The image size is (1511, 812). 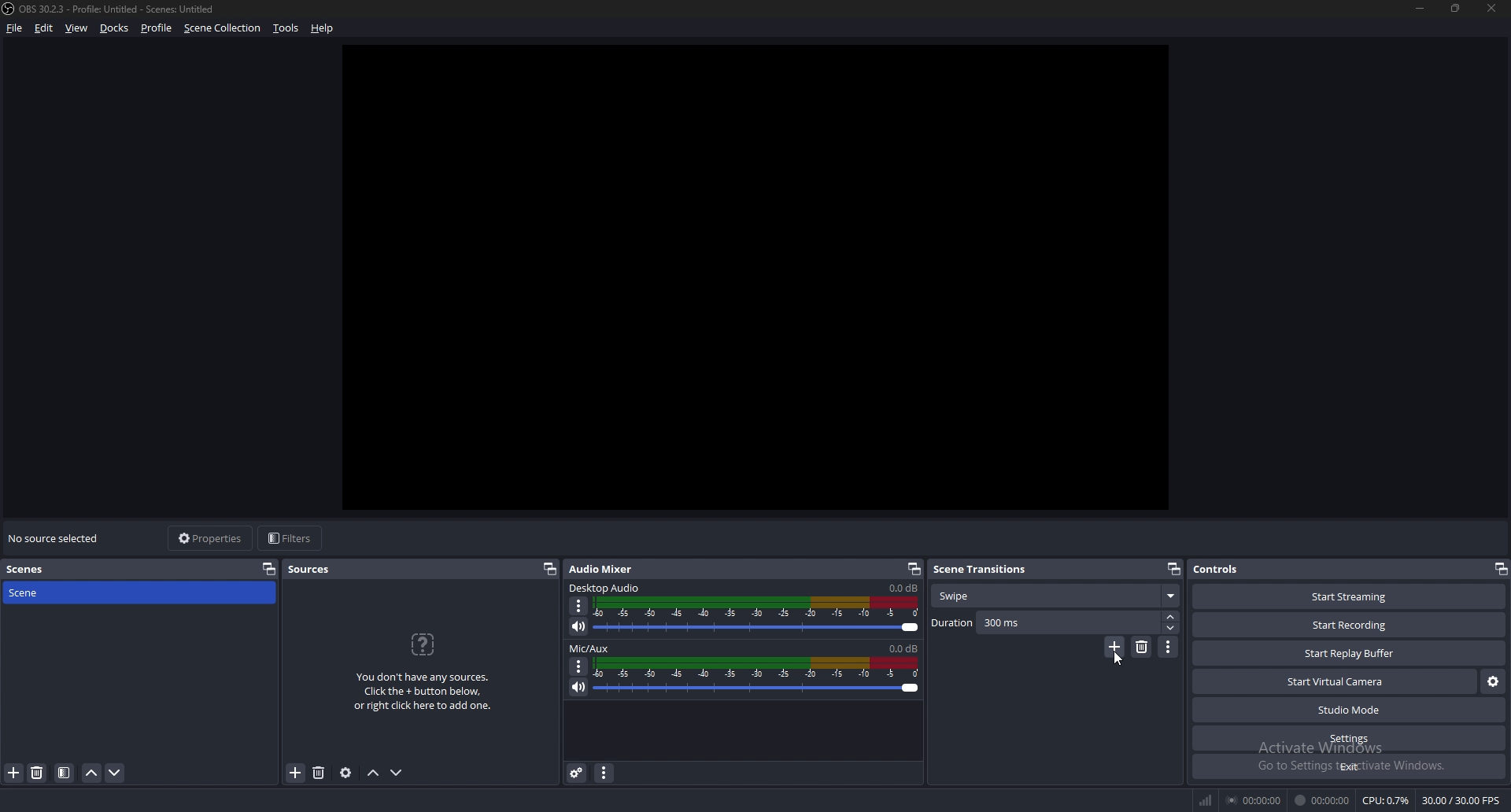 What do you see at coordinates (1228, 569) in the screenshot?
I see `controls` at bounding box center [1228, 569].